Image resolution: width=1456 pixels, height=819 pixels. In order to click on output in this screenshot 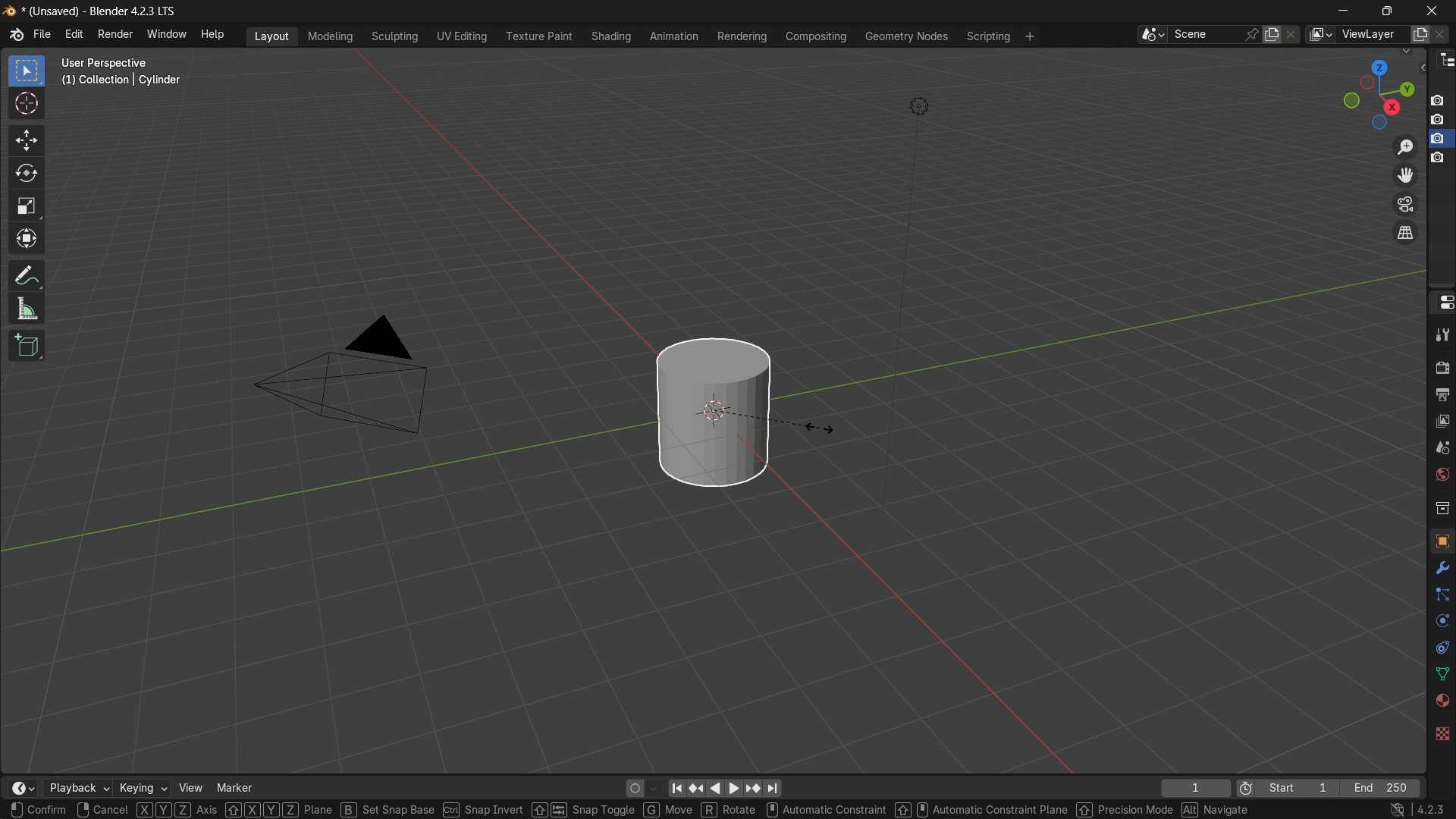, I will do `click(1441, 397)`.